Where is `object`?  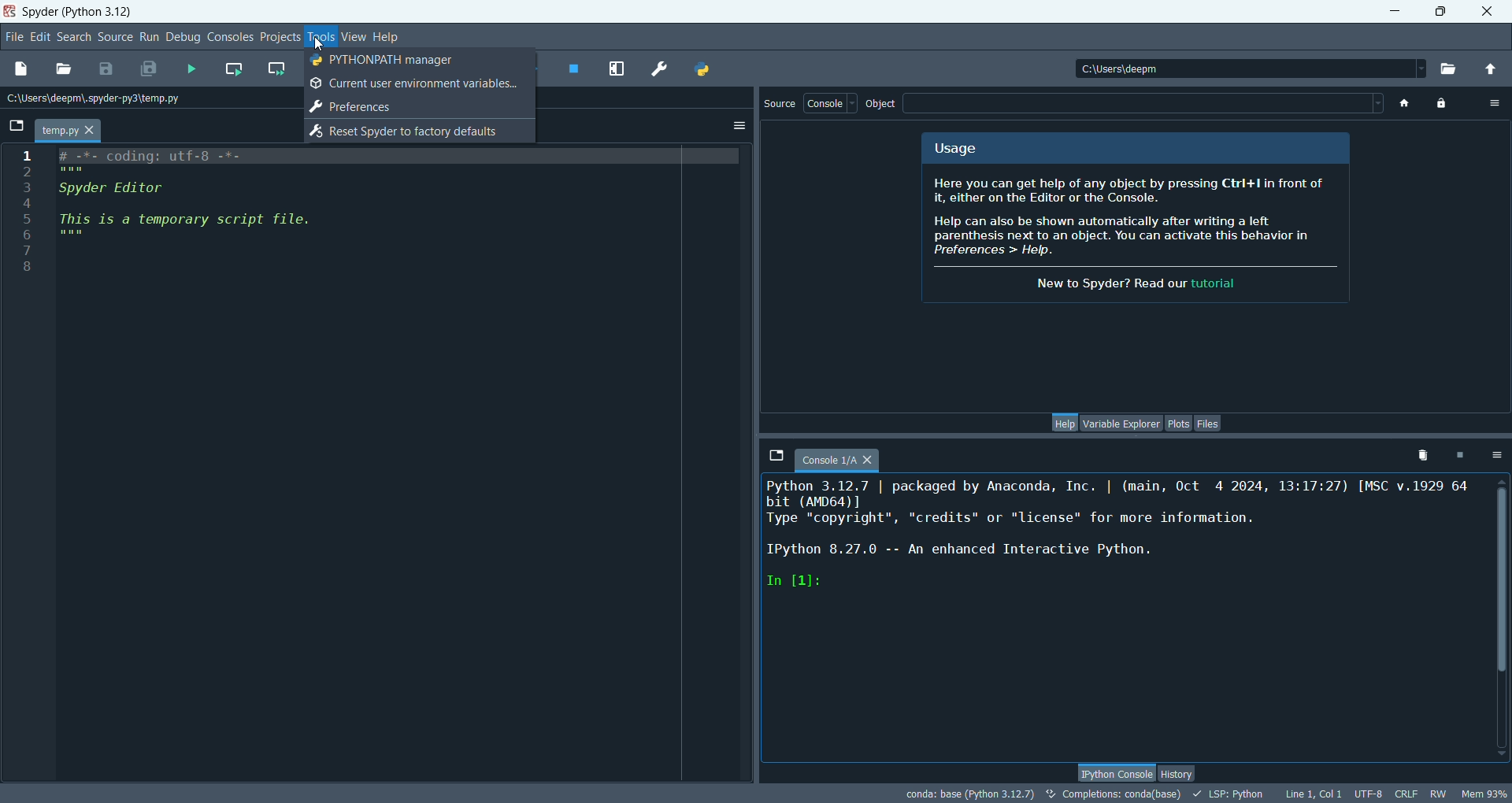 object is located at coordinates (885, 105).